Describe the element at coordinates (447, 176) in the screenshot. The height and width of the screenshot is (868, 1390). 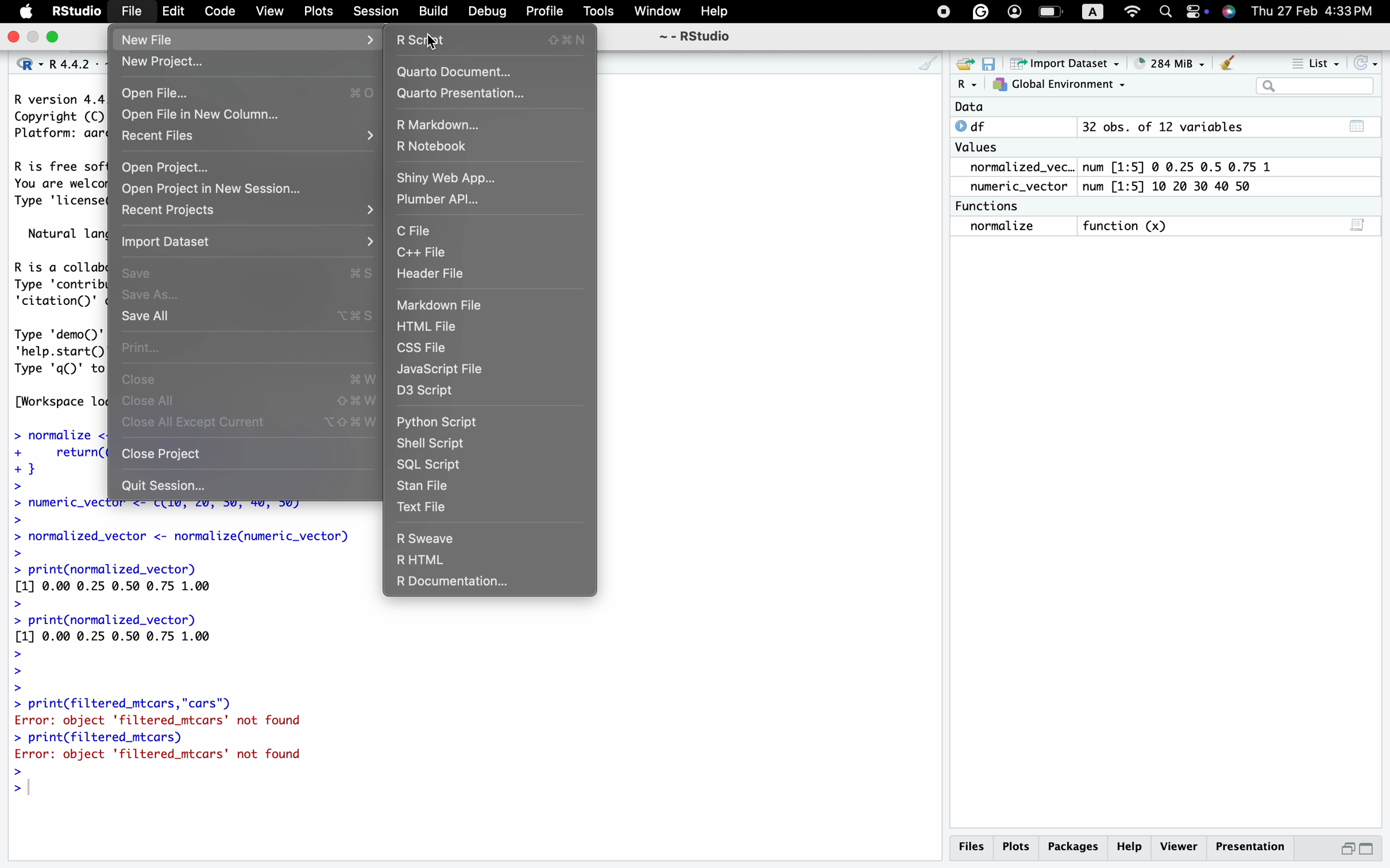
I see `Shiny Web App...` at that location.